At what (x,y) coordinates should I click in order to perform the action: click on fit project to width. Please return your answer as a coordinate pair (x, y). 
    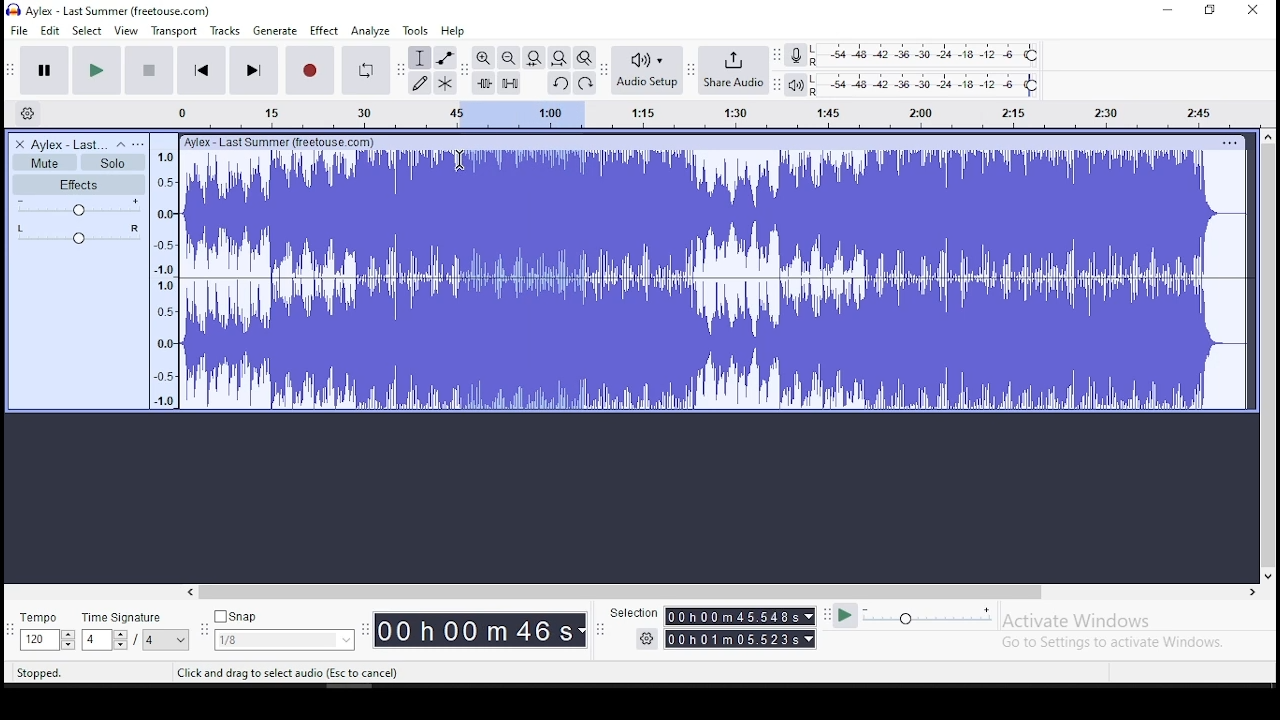
    Looking at the image, I should click on (559, 57).